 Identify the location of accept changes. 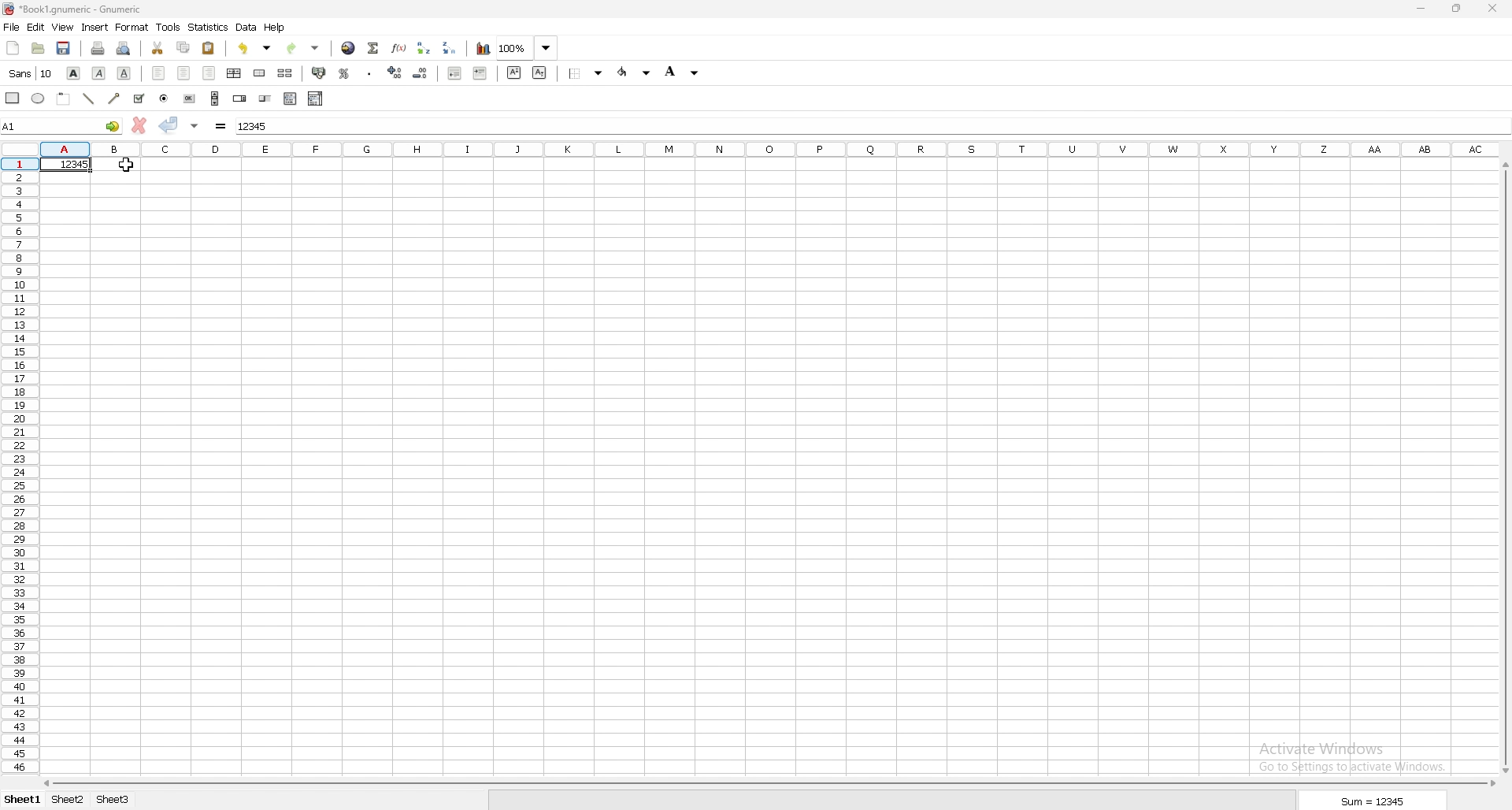
(169, 126).